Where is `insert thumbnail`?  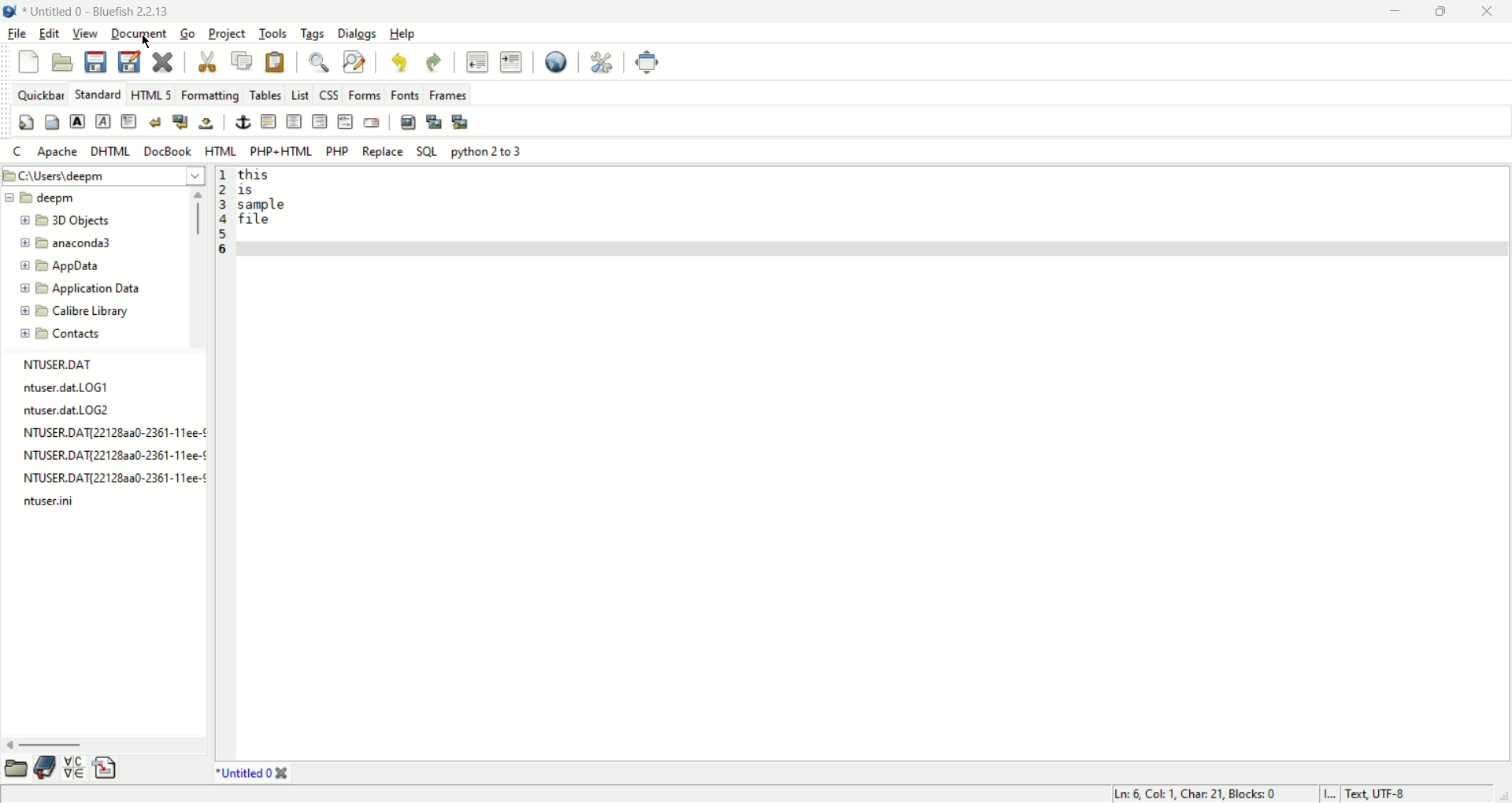 insert thumbnail is located at coordinates (435, 121).